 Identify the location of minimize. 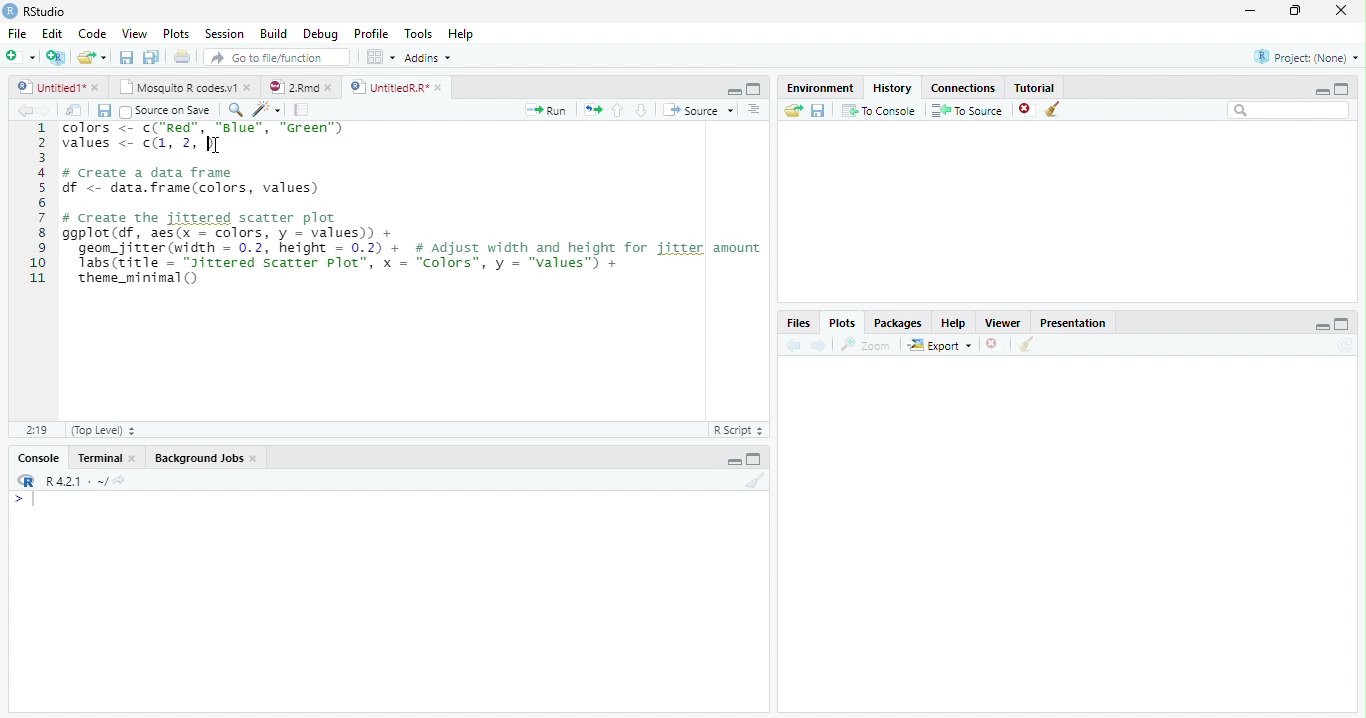
(1251, 10).